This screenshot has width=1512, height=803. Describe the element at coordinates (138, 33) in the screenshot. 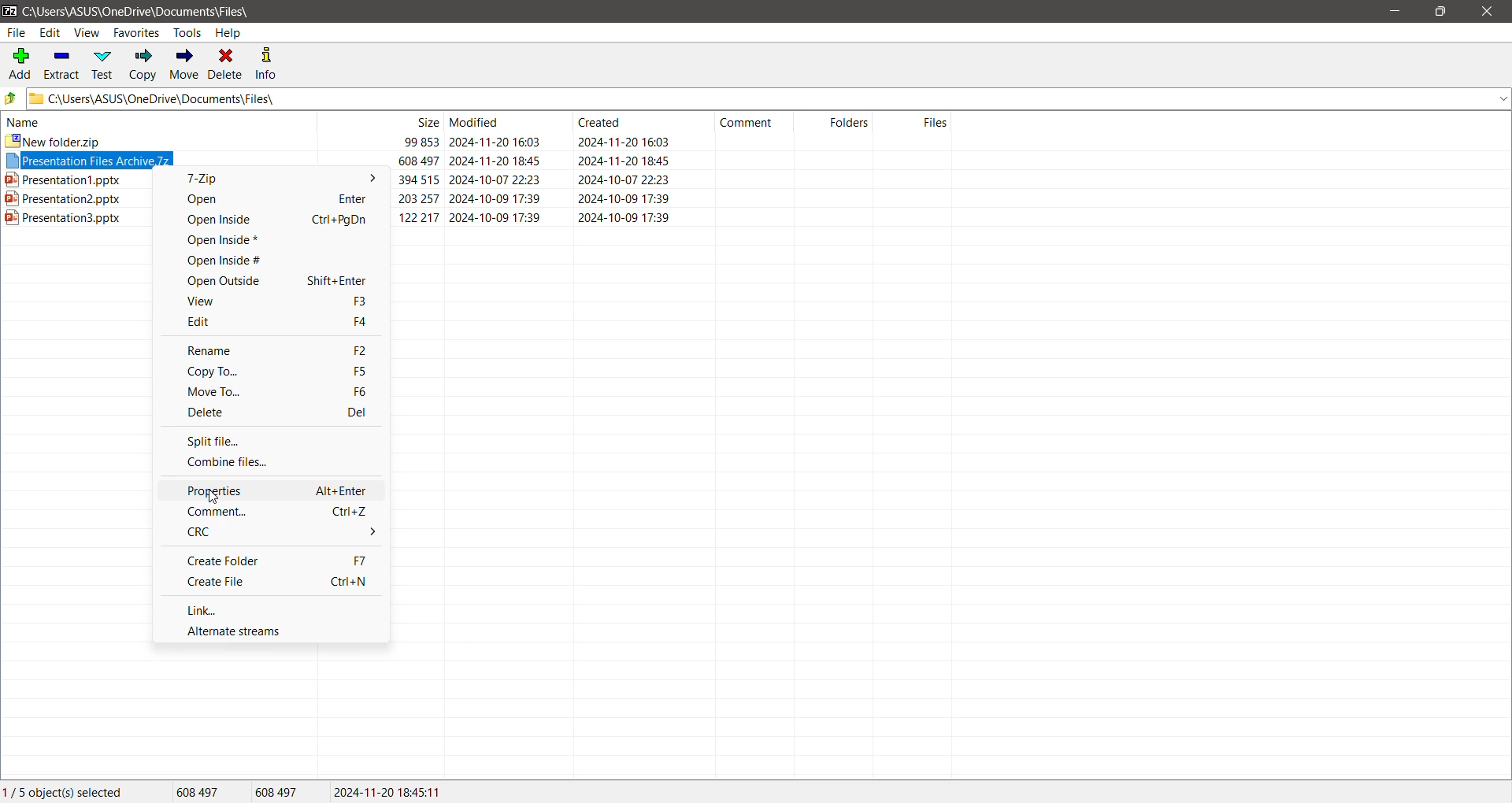

I see `Favorites` at that location.